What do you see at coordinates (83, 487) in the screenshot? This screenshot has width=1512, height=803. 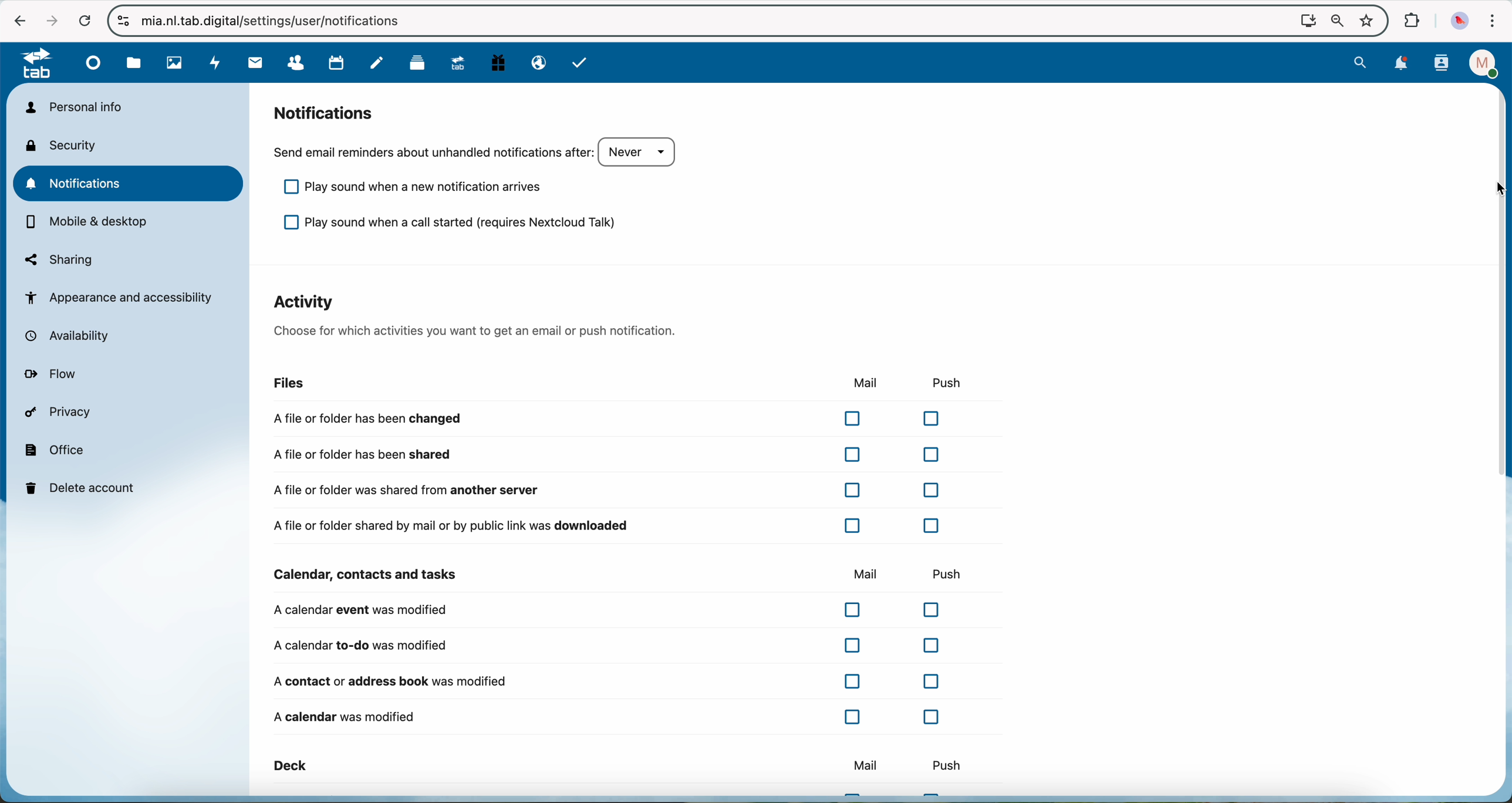 I see `delete account` at bounding box center [83, 487].